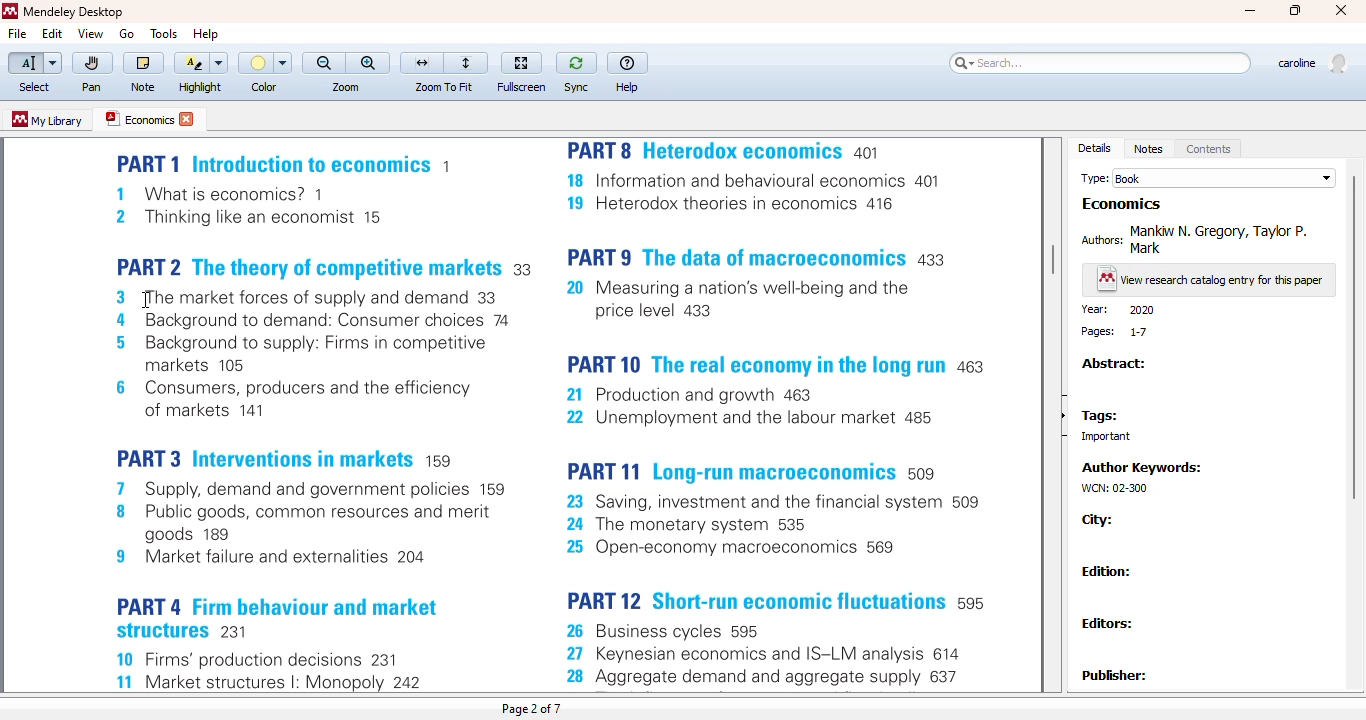  What do you see at coordinates (444, 87) in the screenshot?
I see `Zoom To Fit` at bounding box center [444, 87].